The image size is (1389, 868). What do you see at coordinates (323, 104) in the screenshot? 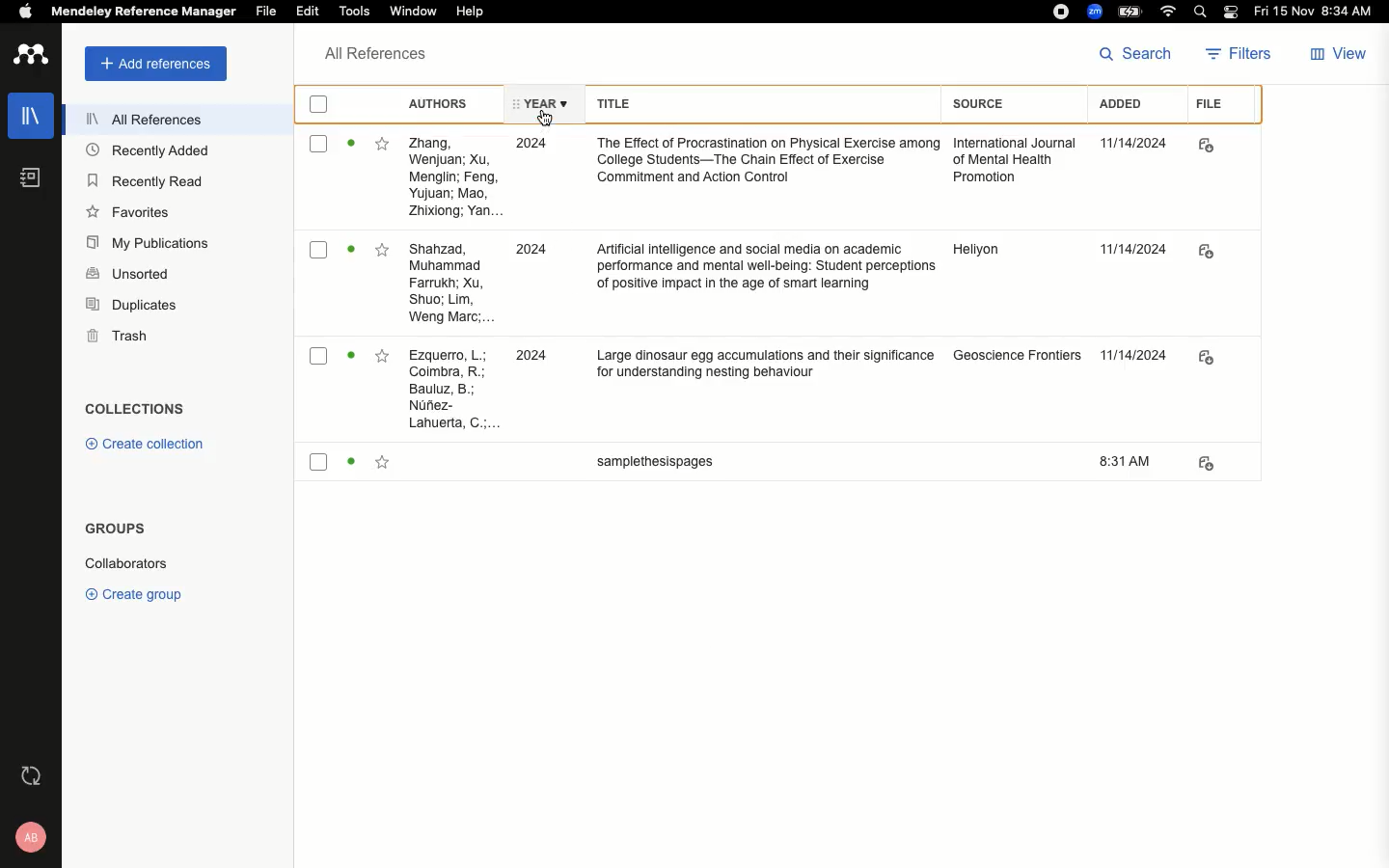
I see `select all document` at bounding box center [323, 104].